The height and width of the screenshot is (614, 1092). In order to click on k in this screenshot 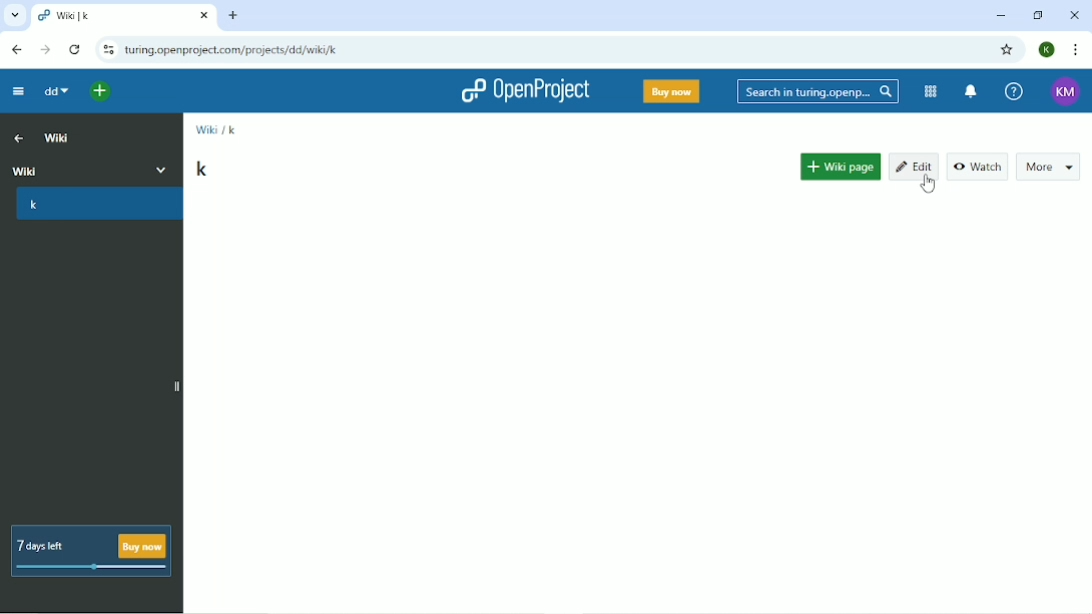, I will do `click(200, 169)`.